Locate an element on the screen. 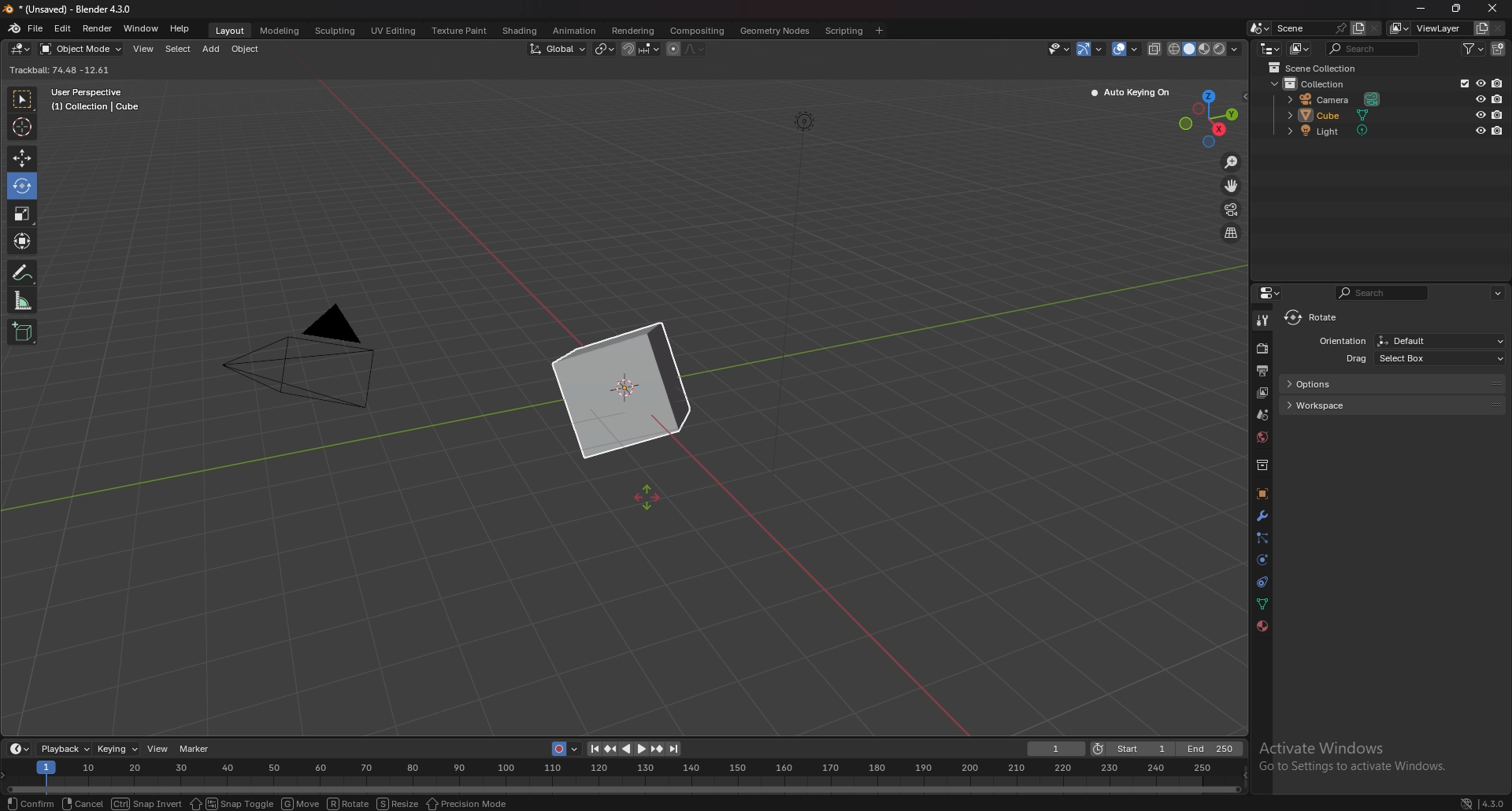 The image size is (1512, 811). view port shading is located at coordinates (1206, 49).